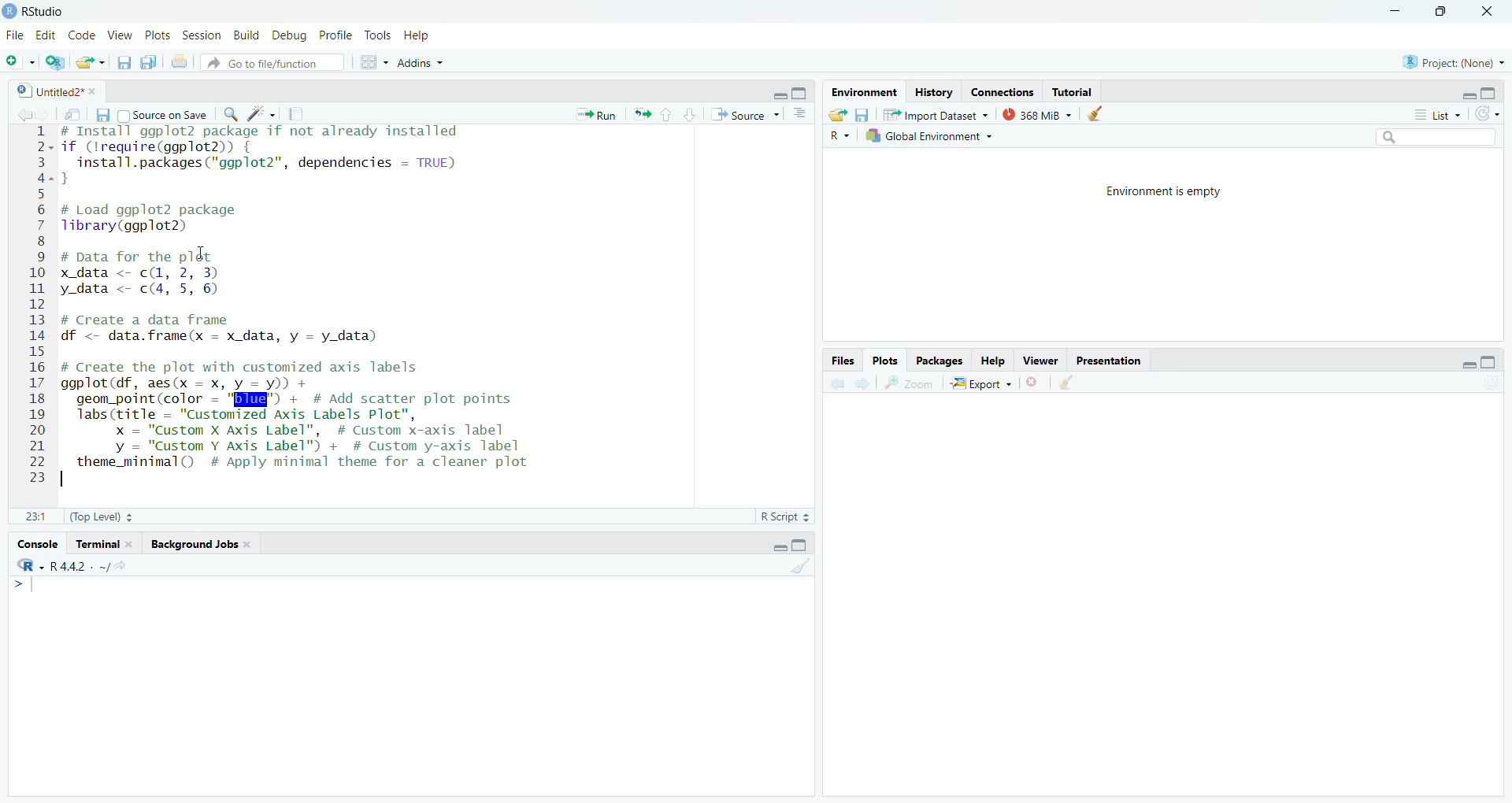  Describe the element at coordinates (599, 114) in the screenshot. I see `* Run` at that location.